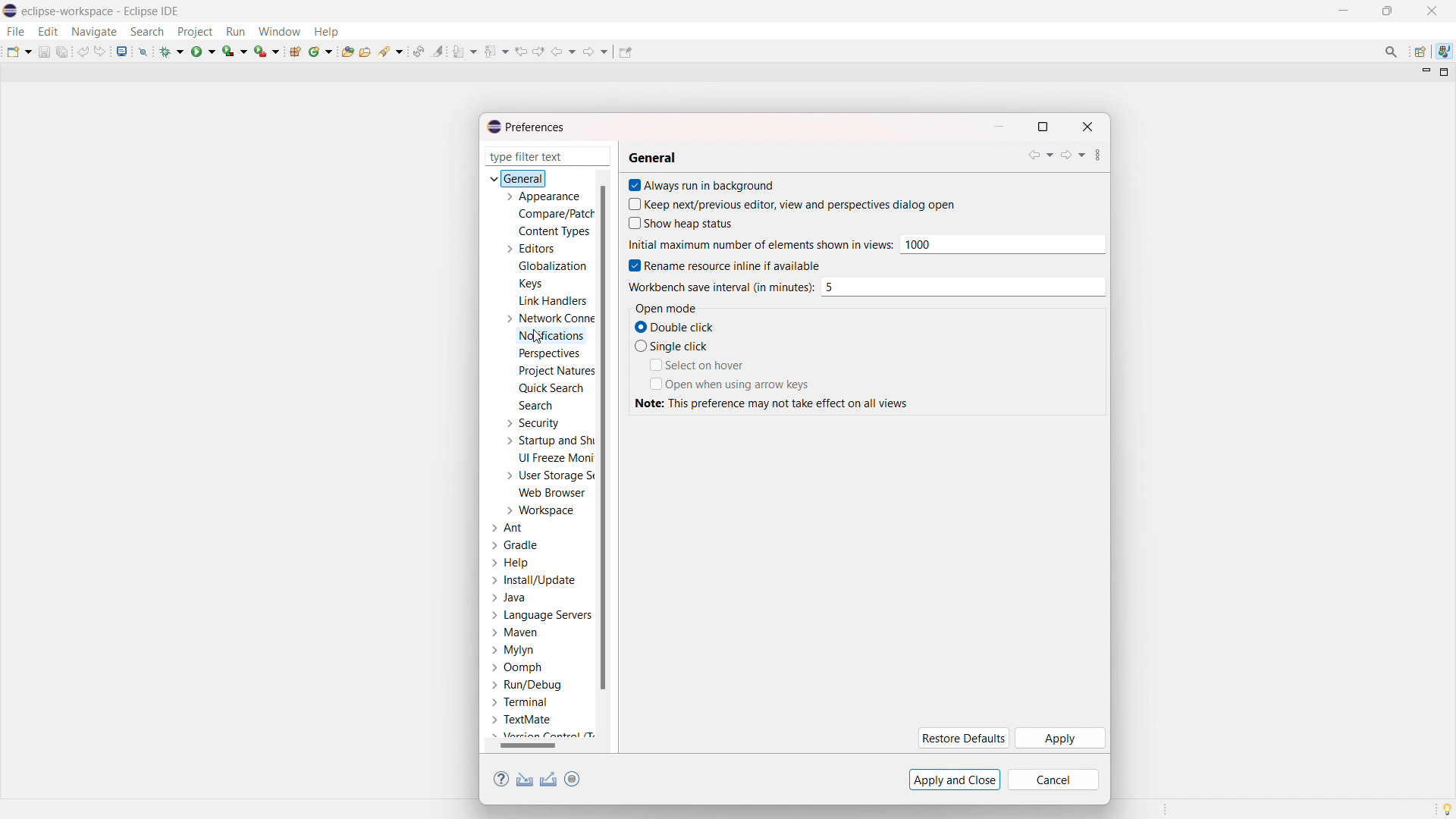 The height and width of the screenshot is (819, 1456). I want to click on pin editor, so click(625, 52).